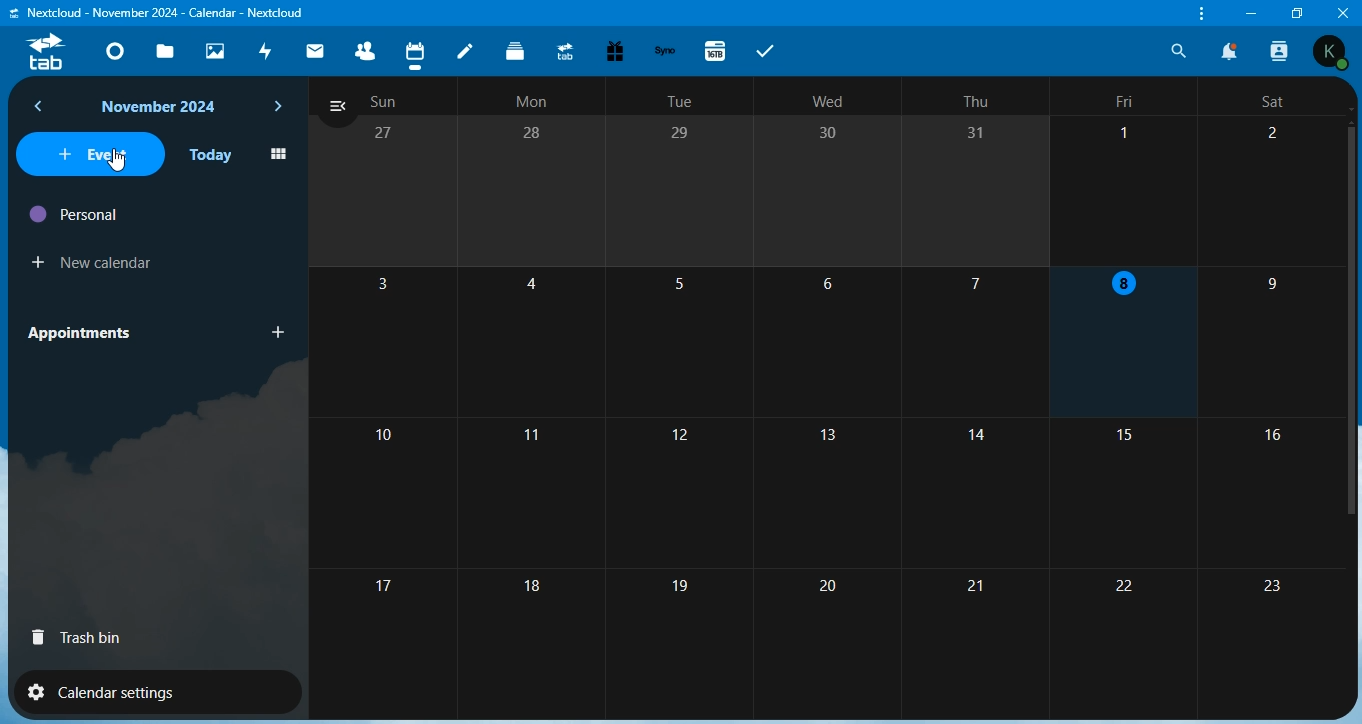 This screenshot has height=724, width=1362. Describe the element at coordinates (1334, 52) in the screenshot. I see `` at that location.